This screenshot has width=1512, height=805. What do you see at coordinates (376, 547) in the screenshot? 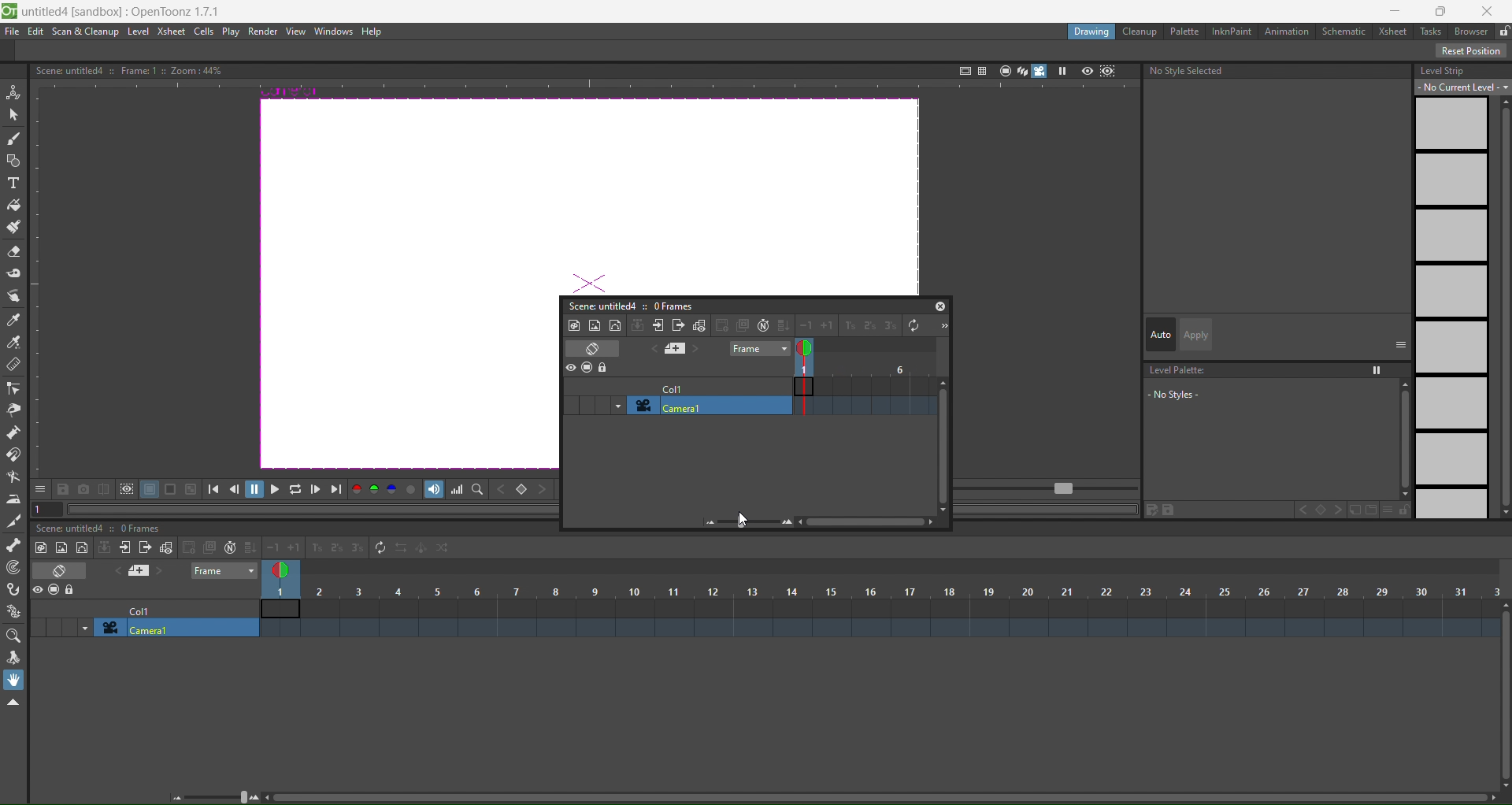
I see `repeat` at bounding box center [376, 547].